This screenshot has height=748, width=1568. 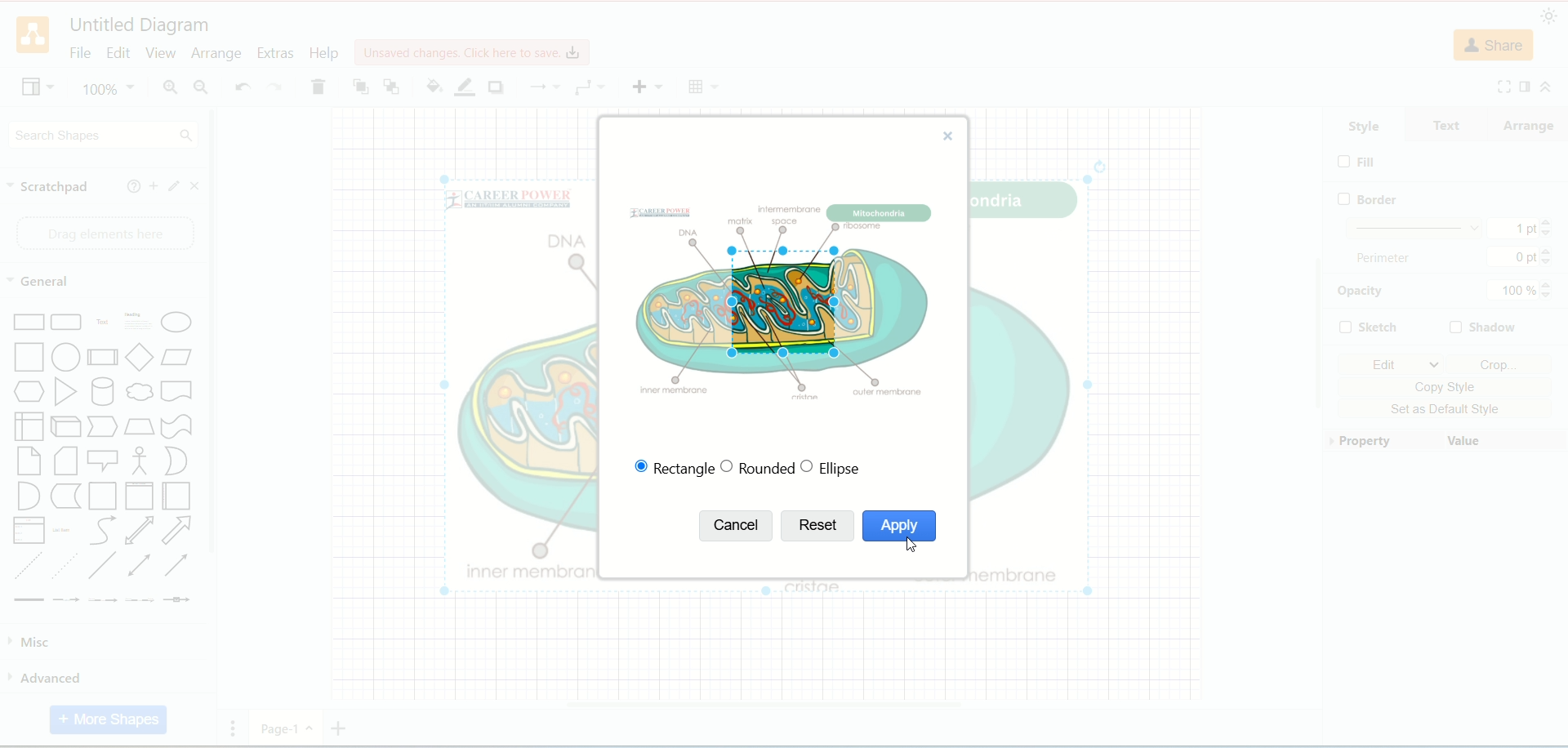 I want to click on image, so click(x=780, y=296).